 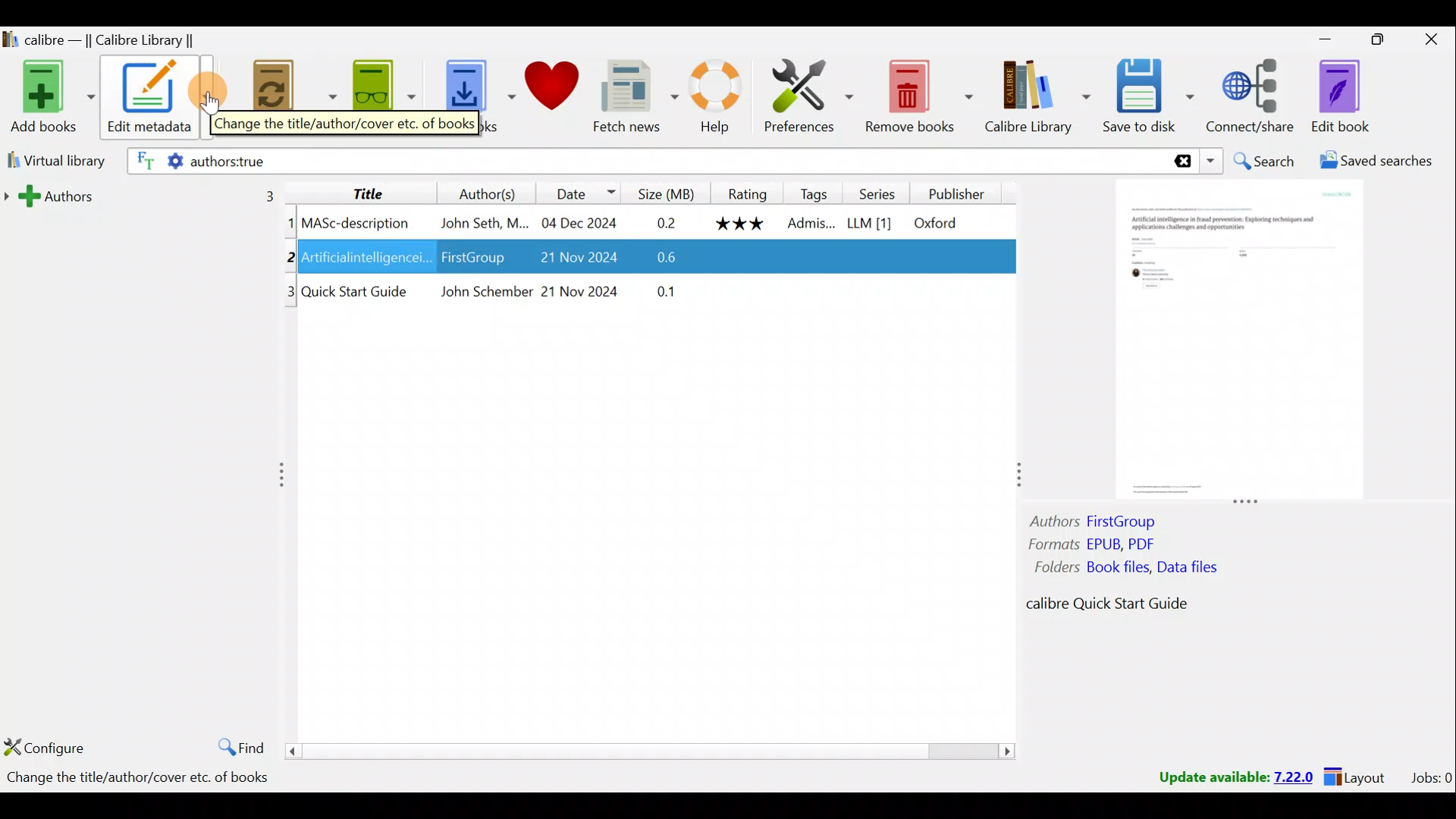 I want to click on Calibre library, so click(x=1031, y=96).